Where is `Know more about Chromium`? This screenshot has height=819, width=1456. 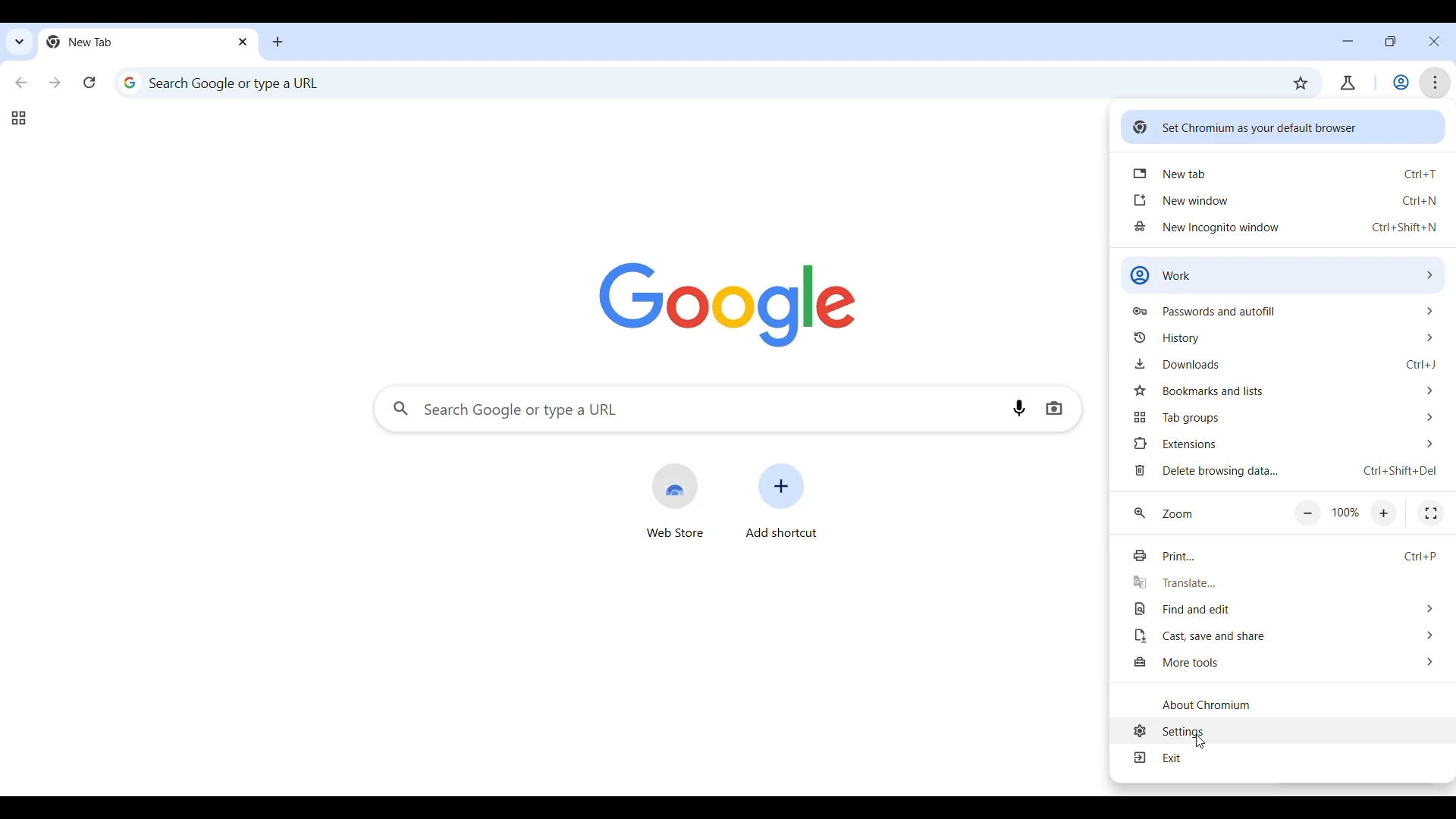 Know more about Chromium is located at coordinates (1288, 704).